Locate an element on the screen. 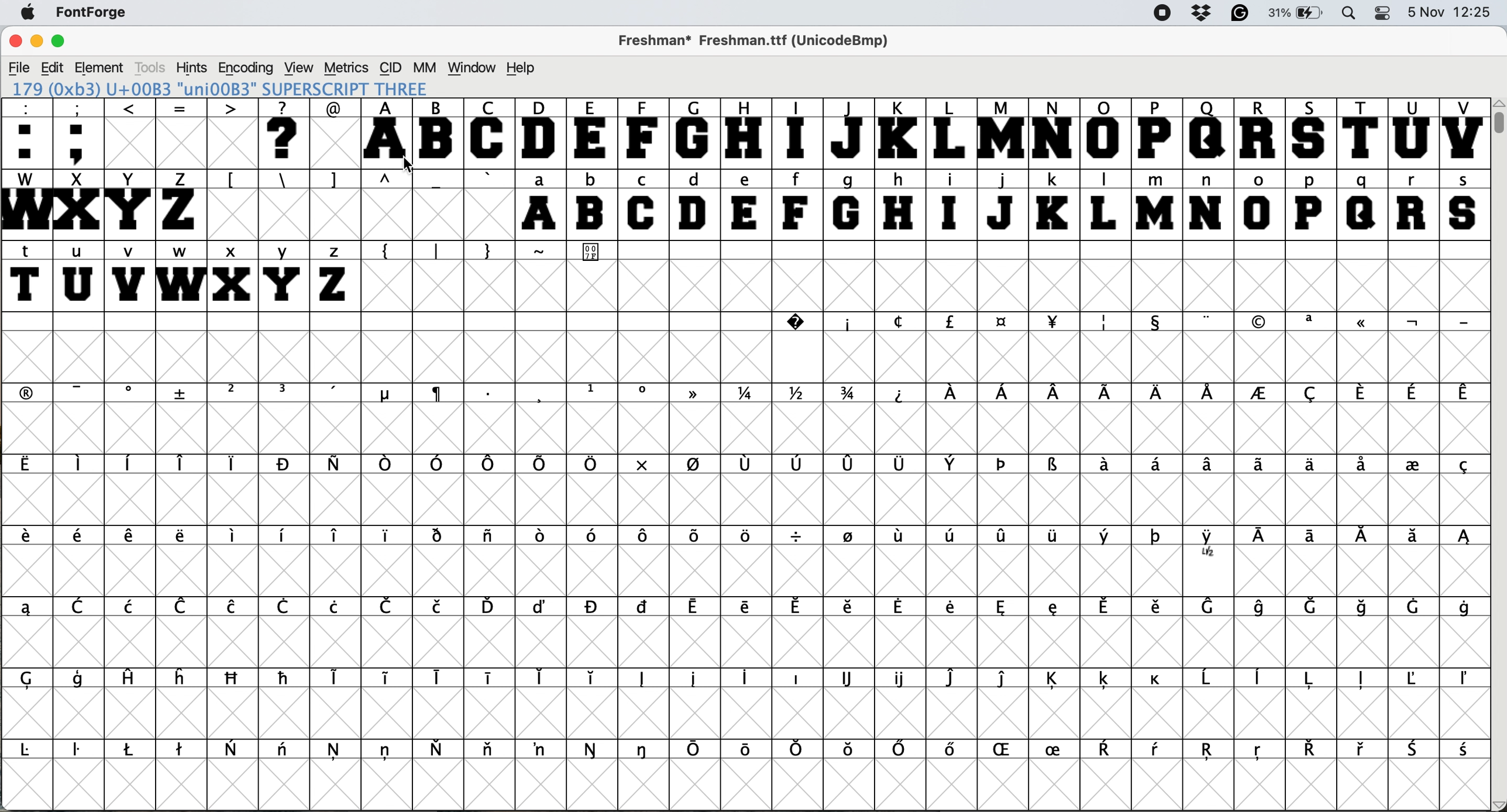 The width and height of the screenshot is (1507, 812). symbol is located at coordinates (1108, 536).